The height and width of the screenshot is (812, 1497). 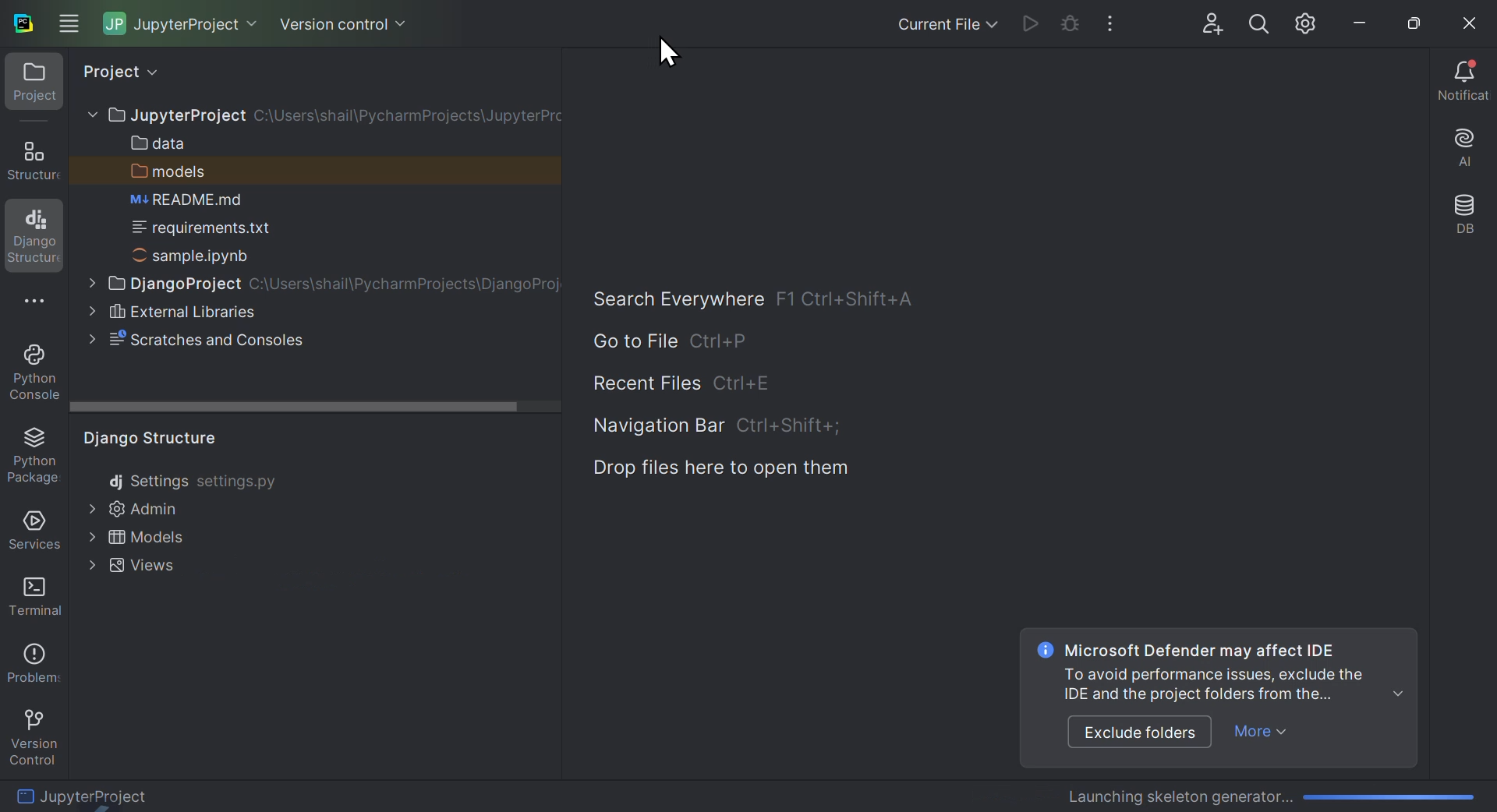 I want to click on Exclude Folder, so click(x=1135, y=732).